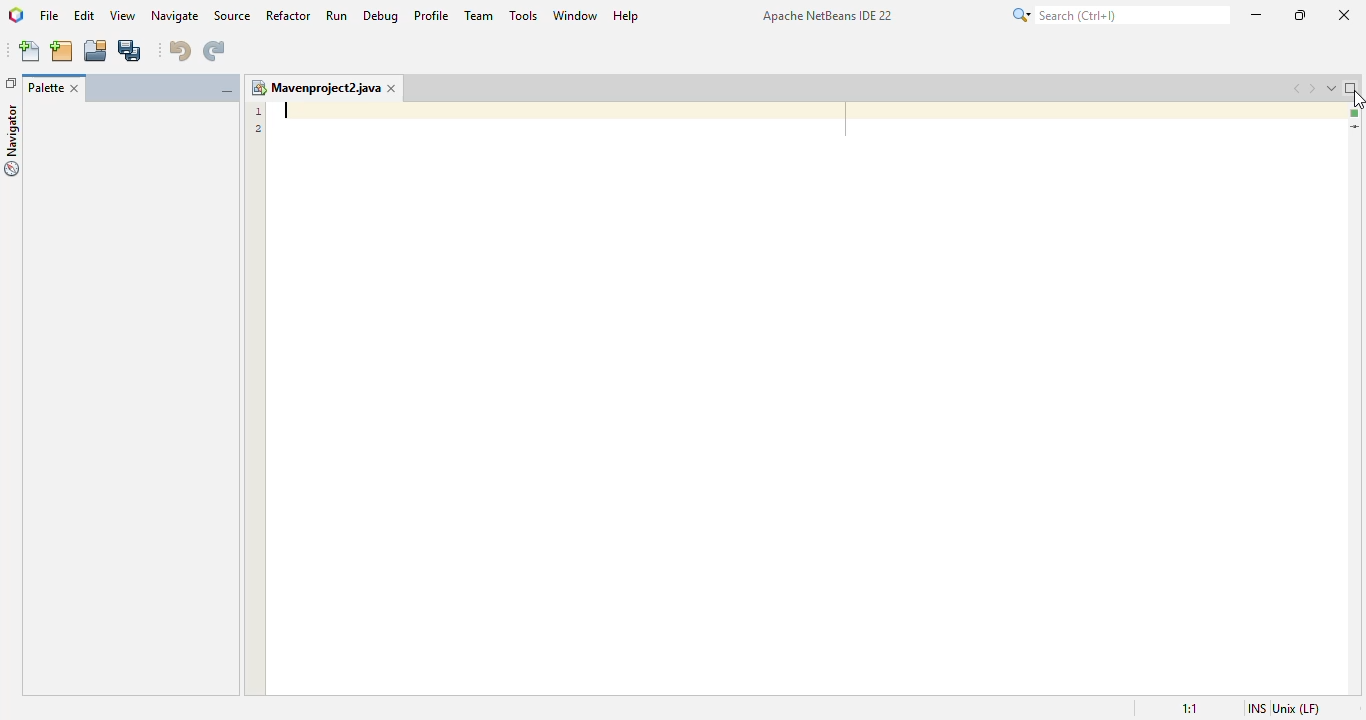 This screenshot has width=1366, height=720. Describe the element at coordinates (480, 15) in the screenshot. I see `team` at that location.